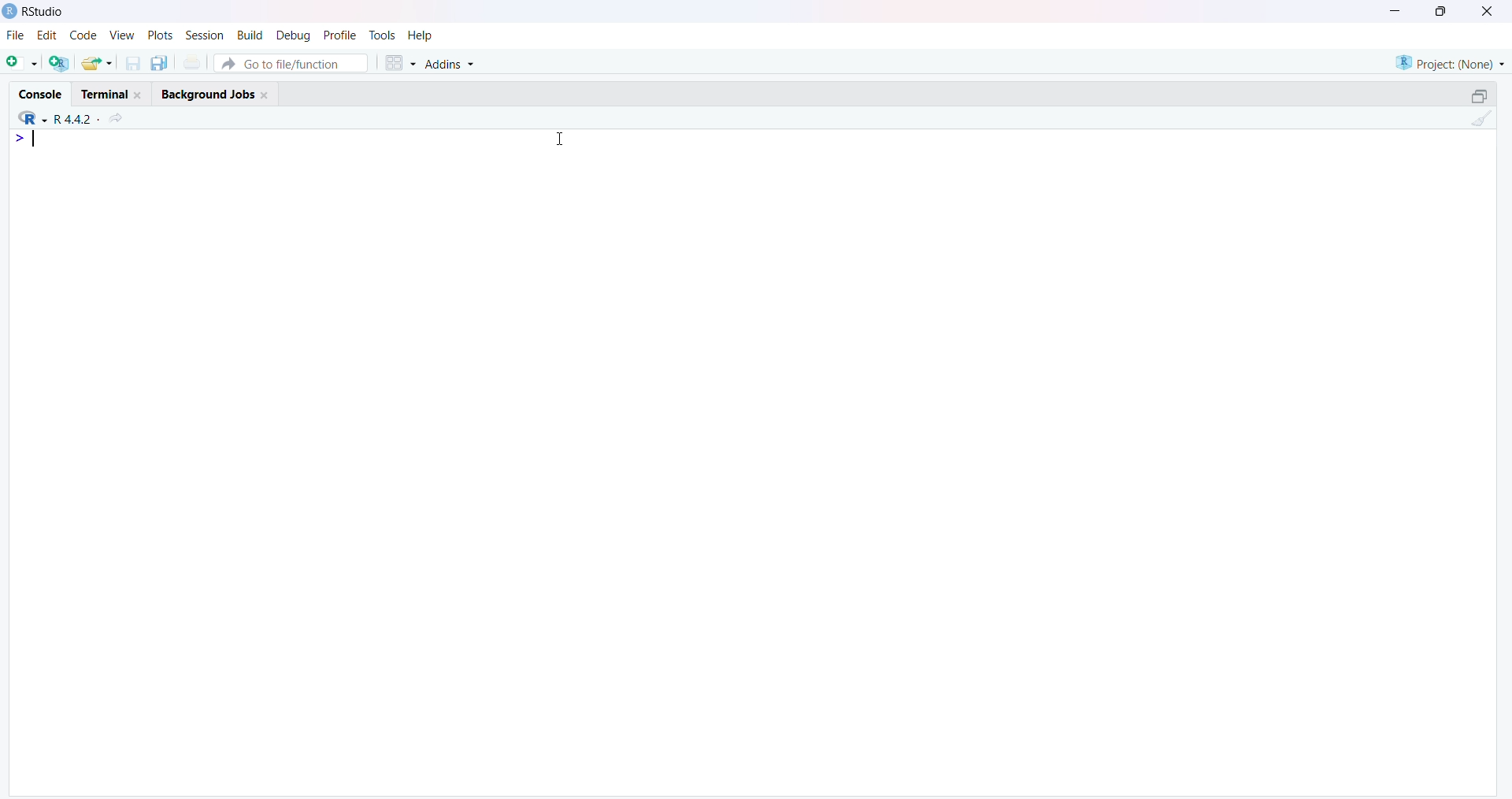 The height and width of the screenshot is (799, 1512). Describe the element at coordinates (400, 61) in the screenshot. I see `Workspace panes` at that location.